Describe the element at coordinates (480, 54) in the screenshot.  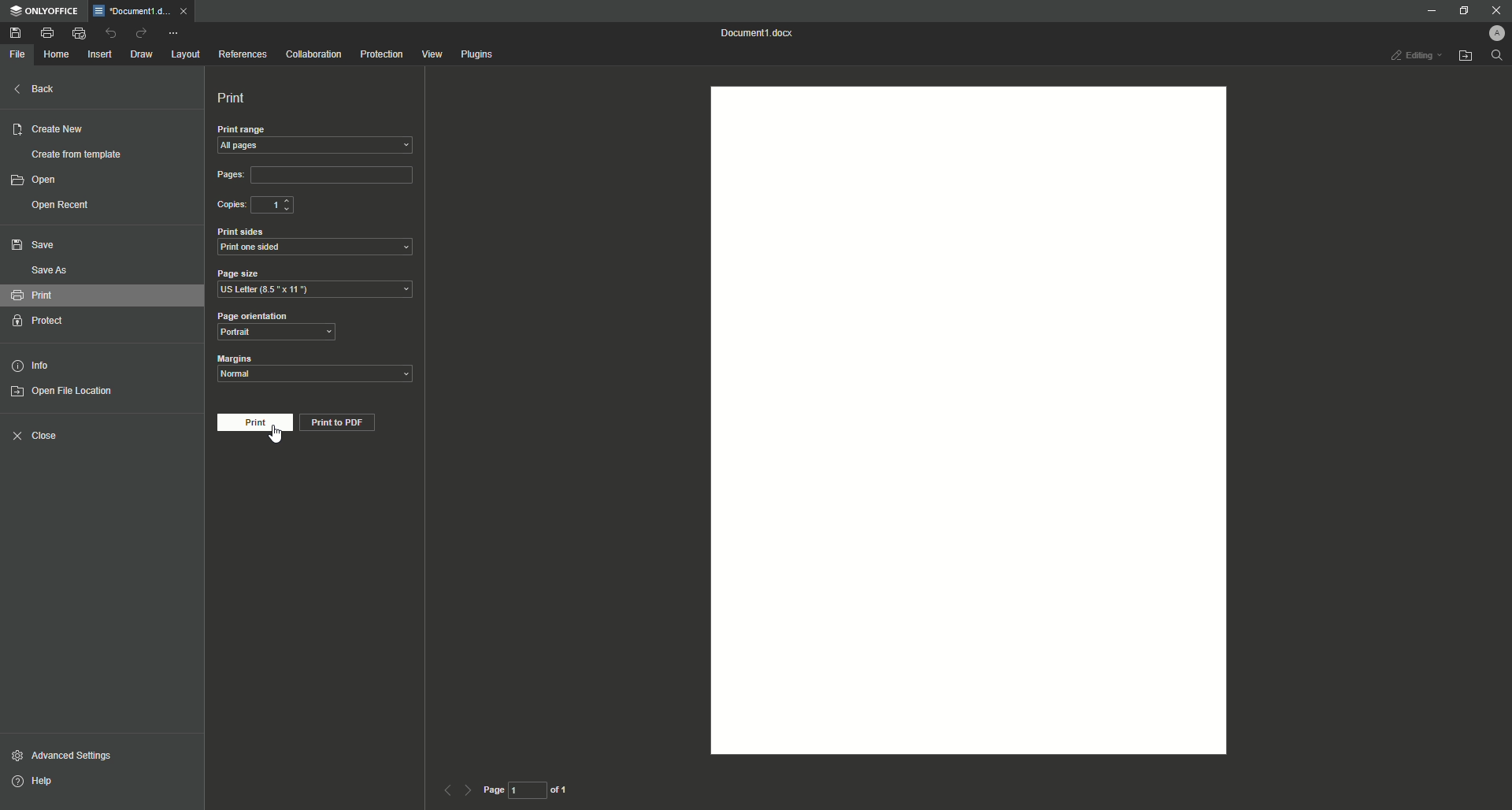
I see `Plugins` at that location.